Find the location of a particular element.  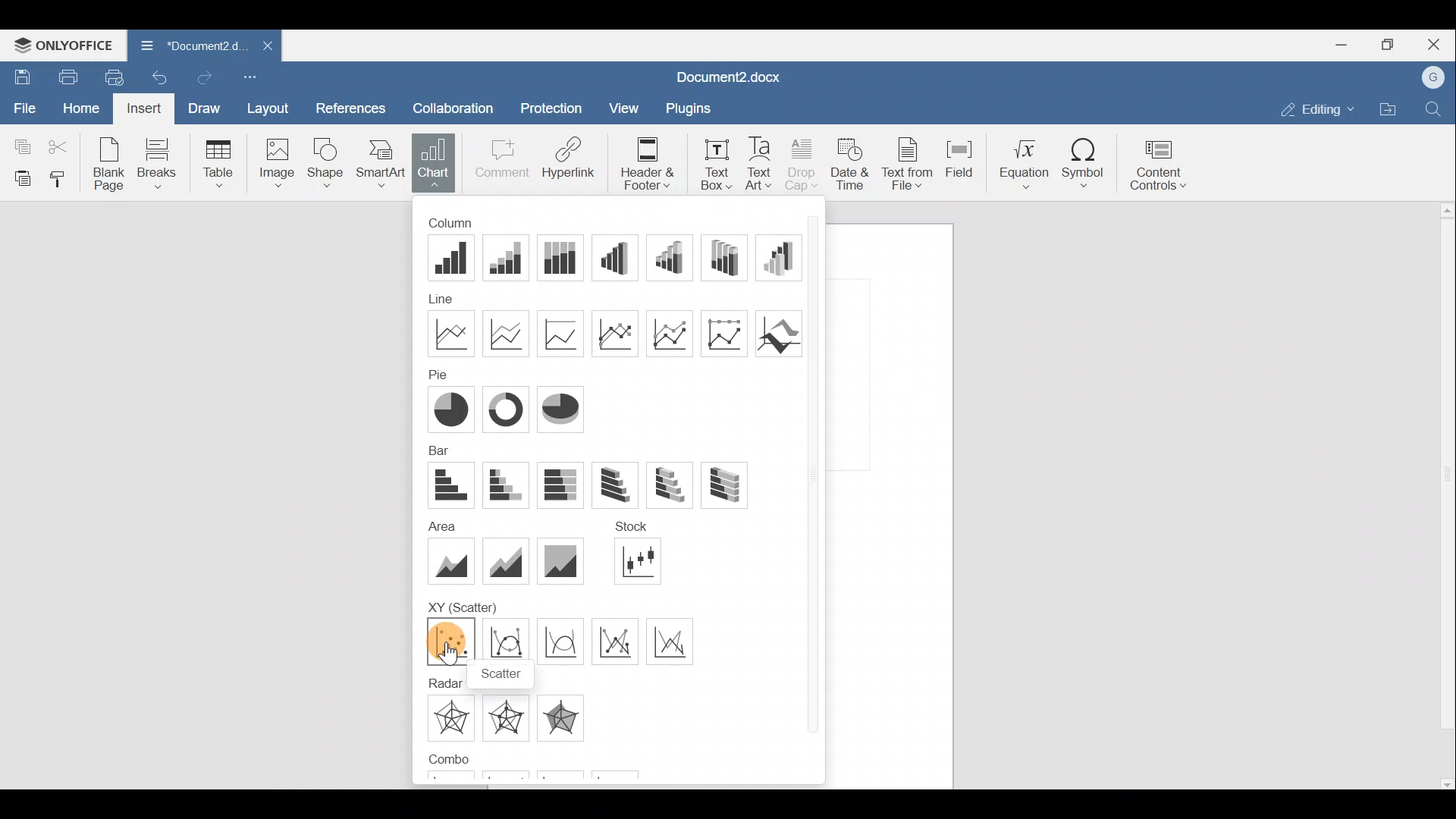

3-D stacked column is located at coordinates (674, 257).